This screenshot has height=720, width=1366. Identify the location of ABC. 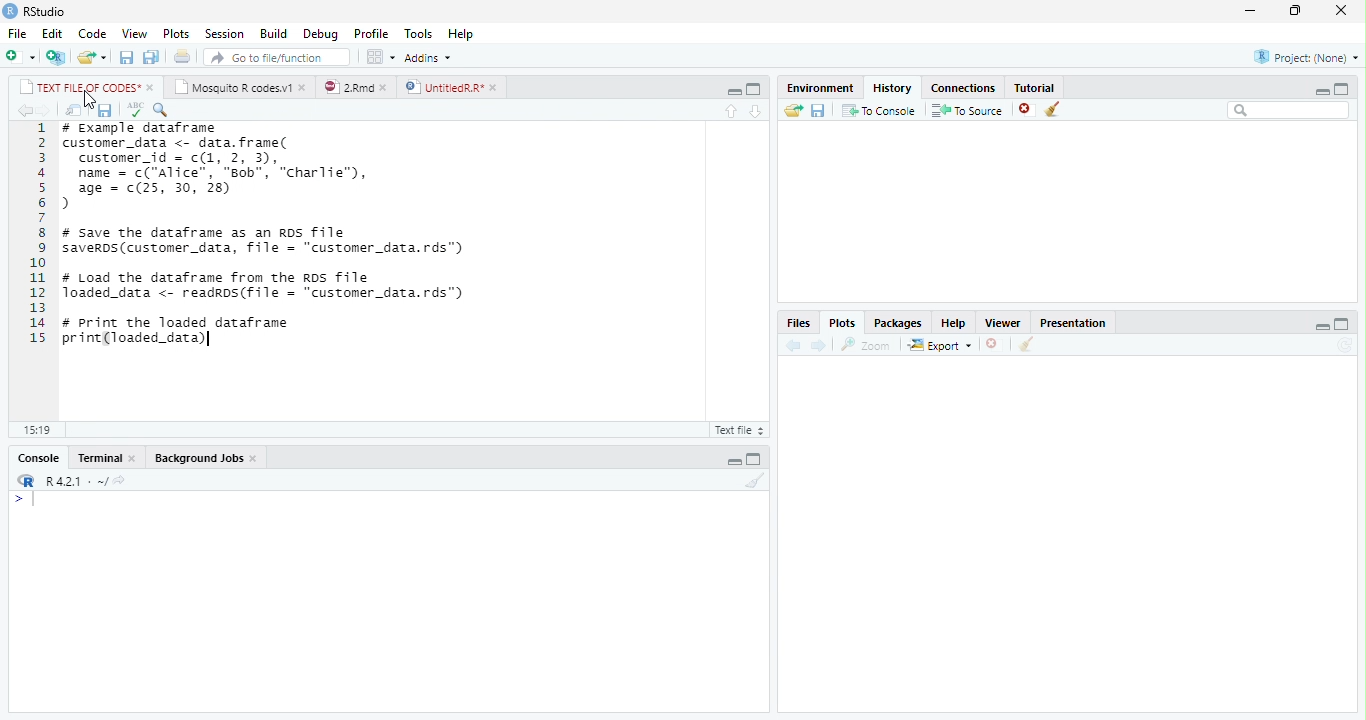
(135, 110).